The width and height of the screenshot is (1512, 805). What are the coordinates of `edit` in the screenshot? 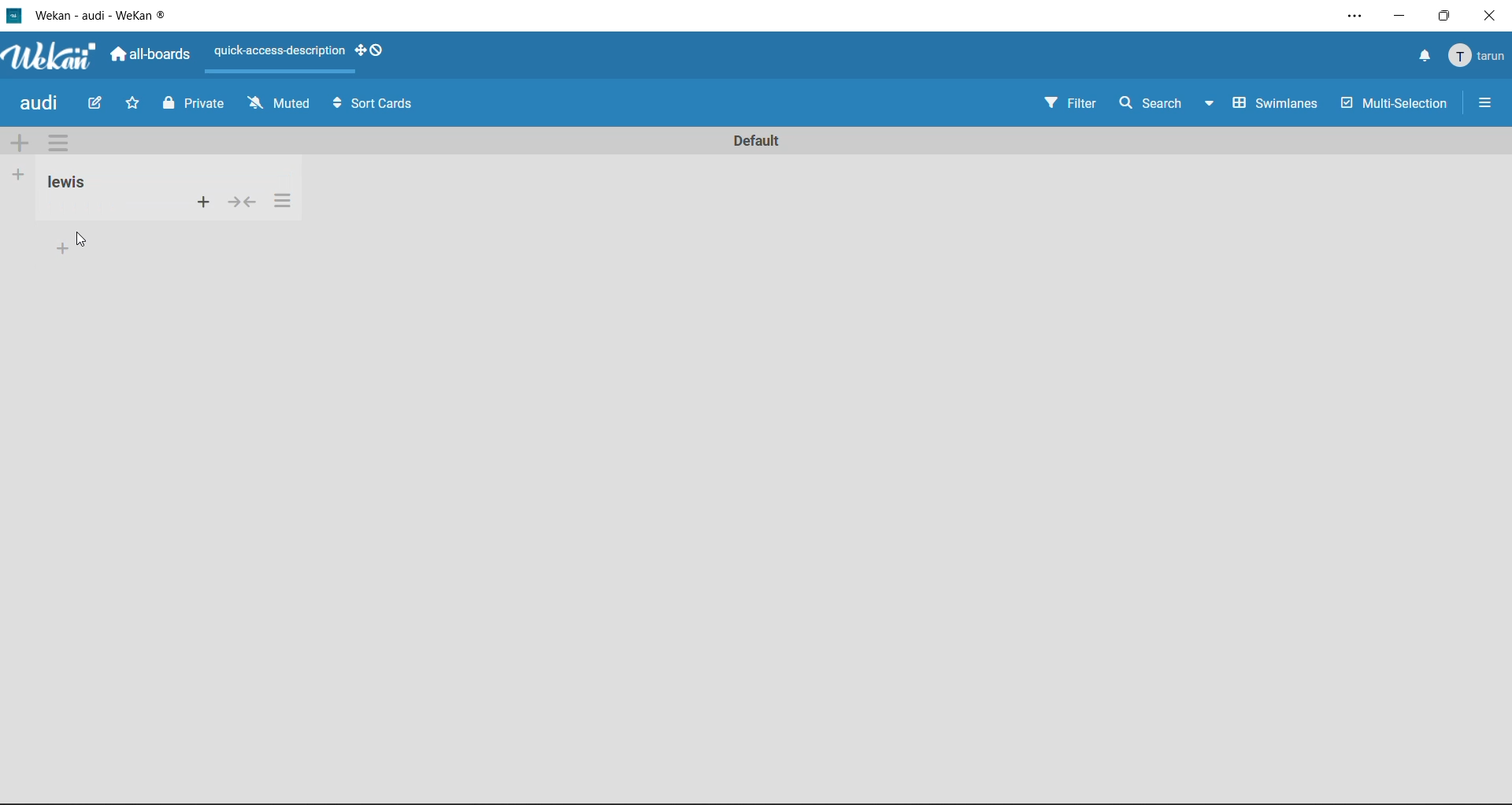 It's located at (98, 106).